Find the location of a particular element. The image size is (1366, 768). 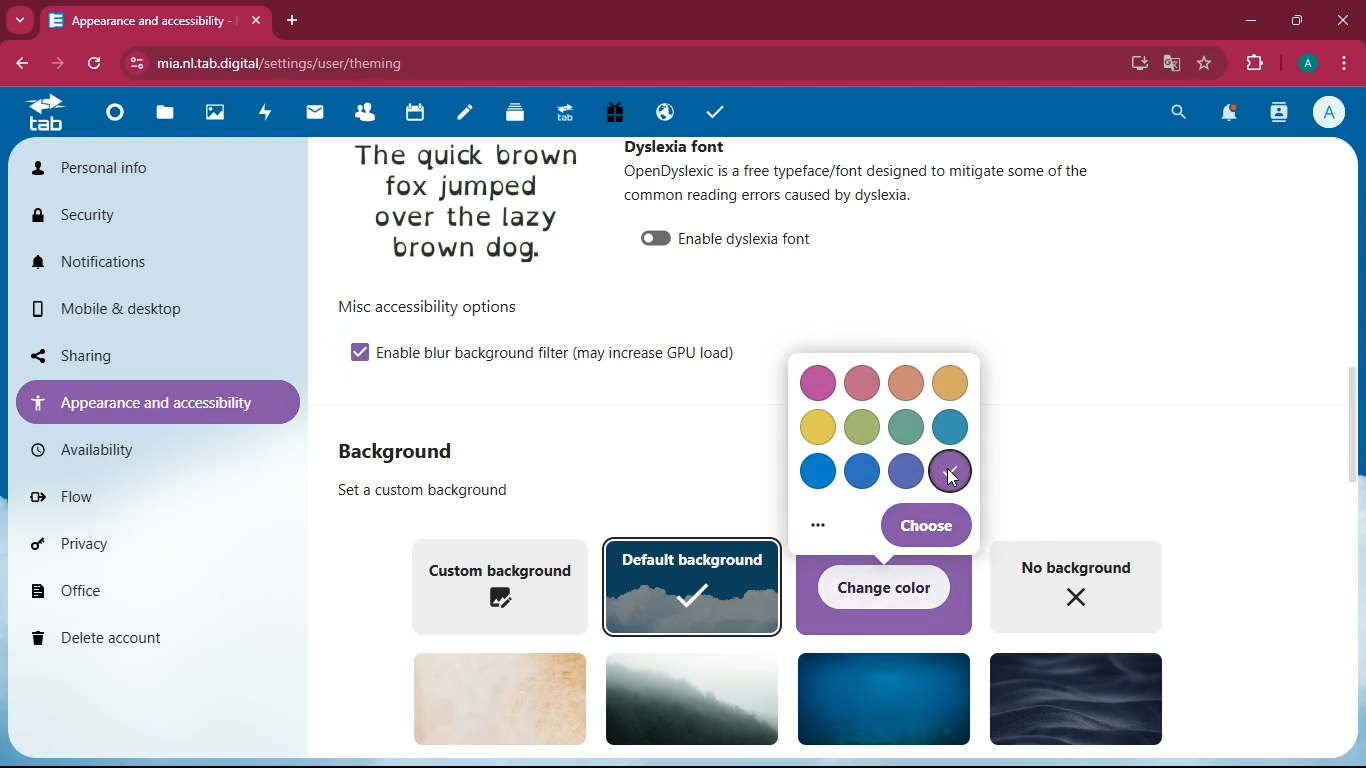

appearance and accessibility  is located at coordinates (159, 21).